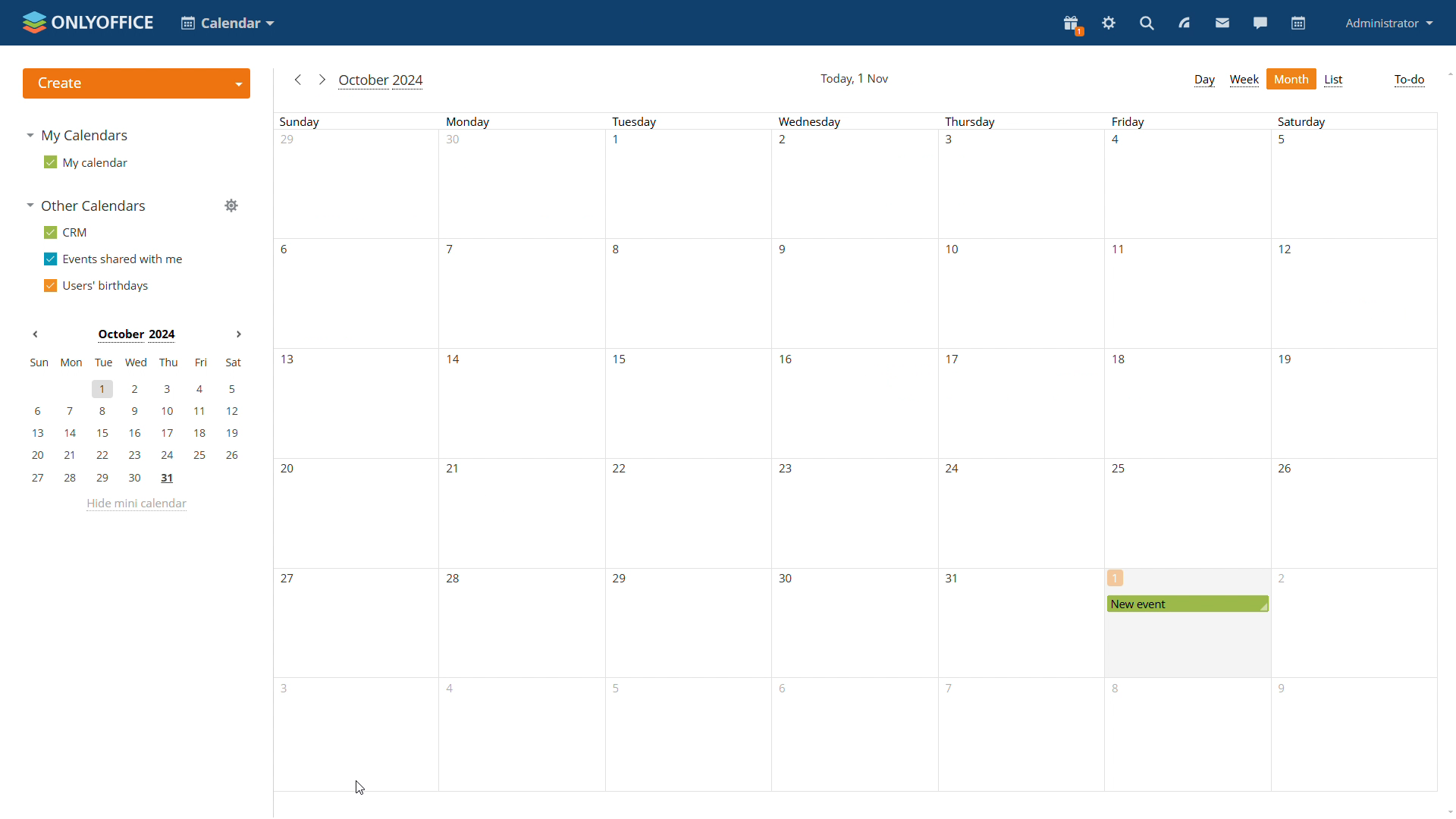 This screenshot has width=1456, height=819. What do you see at coordinates (88, 206) in the screenshot?
I see `other calendars` at bounding box center [88, 206].